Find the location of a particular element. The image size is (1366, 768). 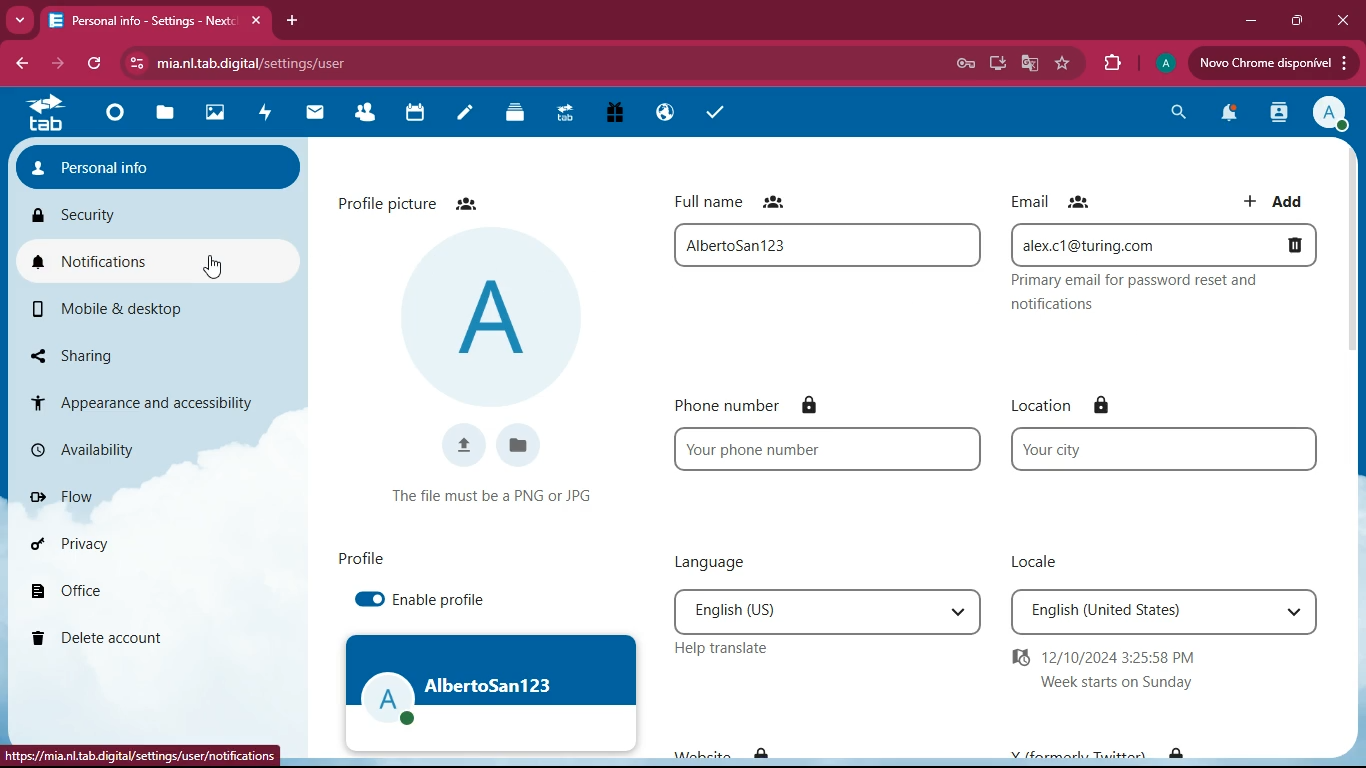

profile picture is located at coordinates (493, 315).